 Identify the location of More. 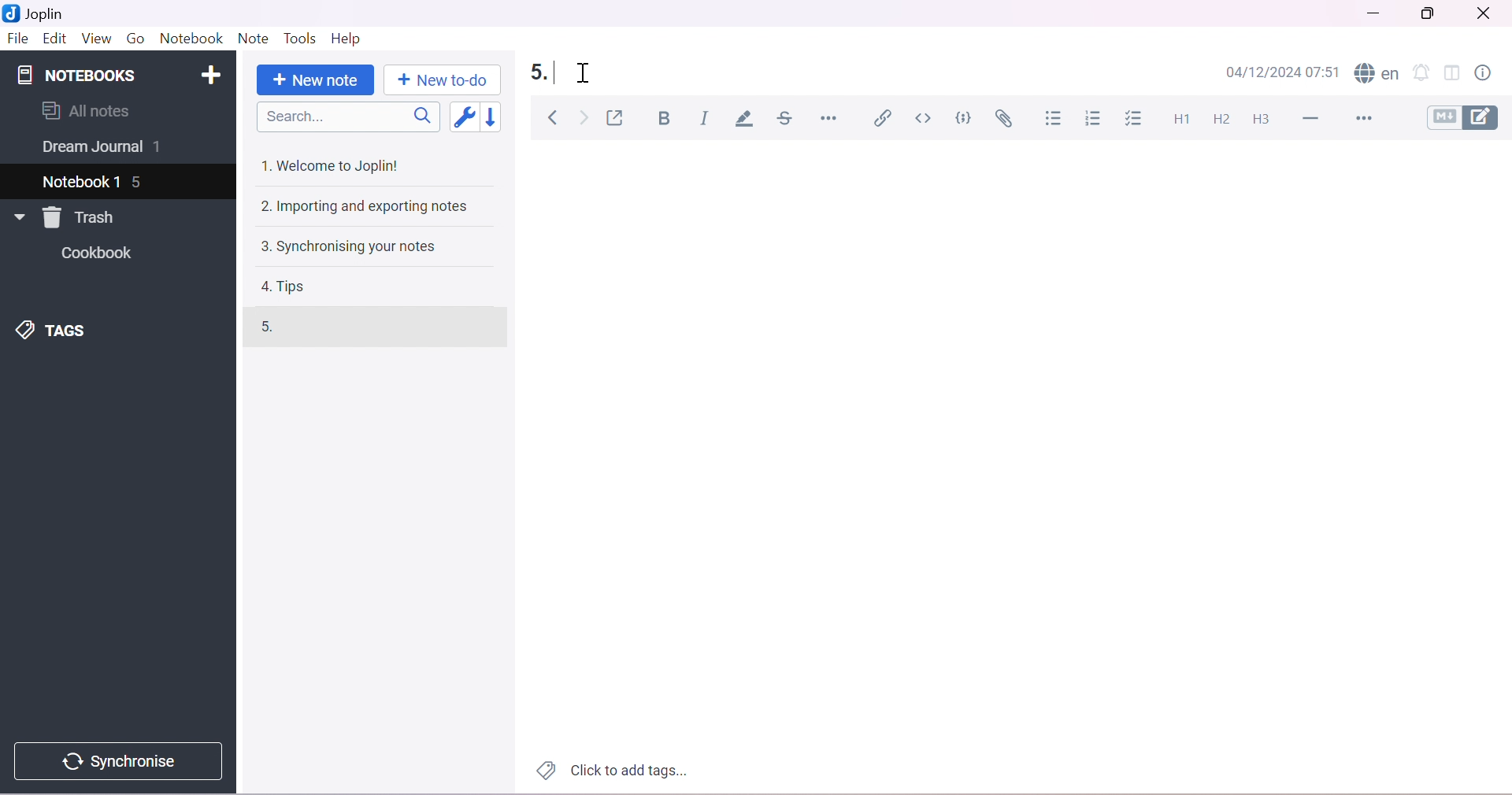
(1368, 120).